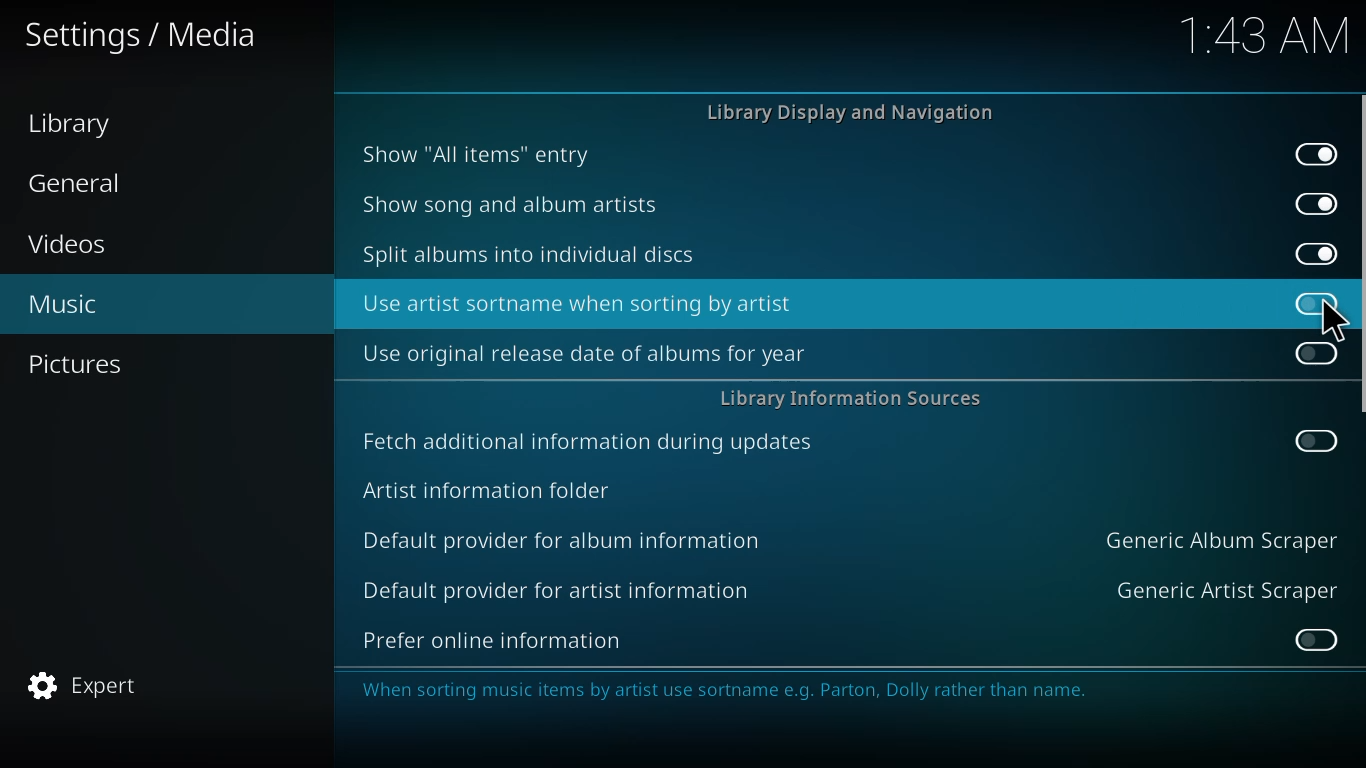  Describe the element at coordinates (1315, 354) in the screenshot. I see `enable` at that location.